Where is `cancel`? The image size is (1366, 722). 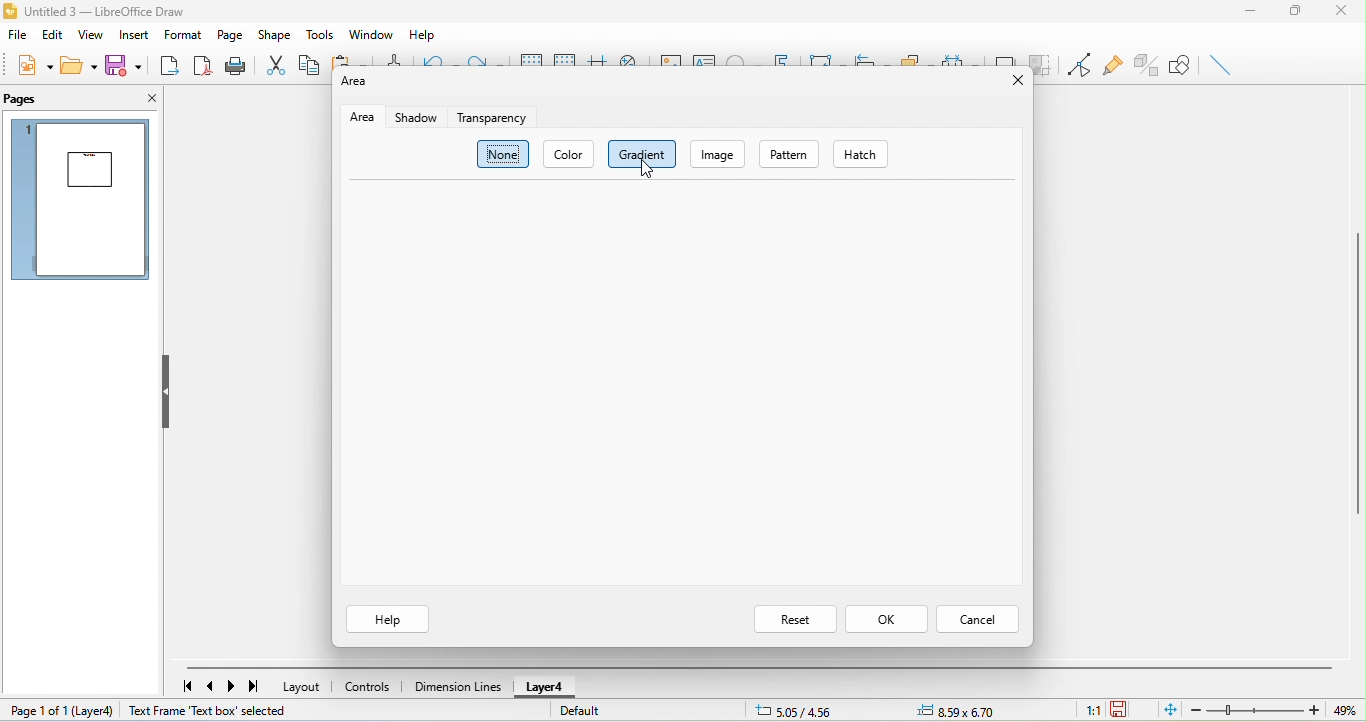
cancel is located at coordinates (977, 620).